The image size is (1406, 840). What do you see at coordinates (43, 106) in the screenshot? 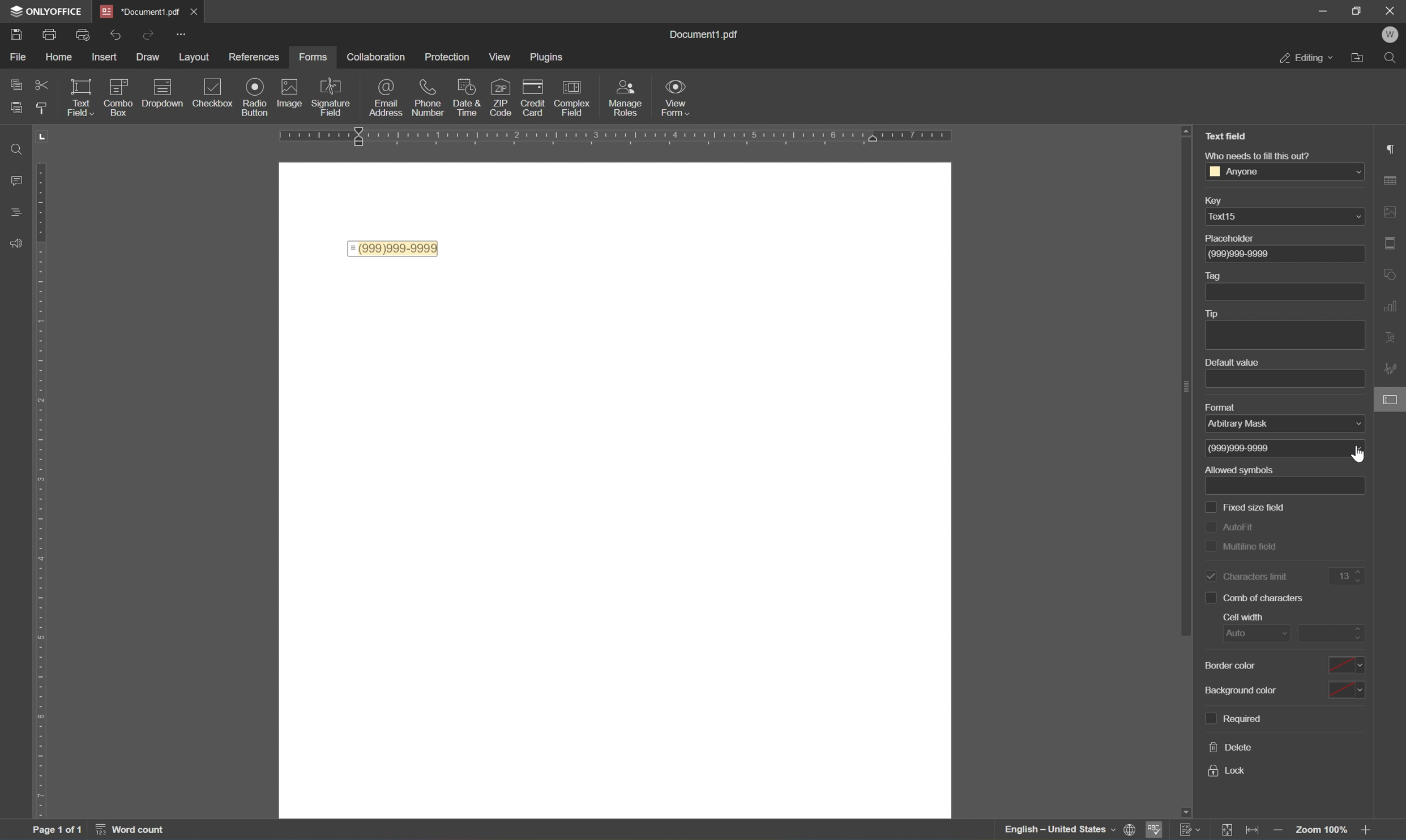
I see `copy style` at bounding box center [43, 106].